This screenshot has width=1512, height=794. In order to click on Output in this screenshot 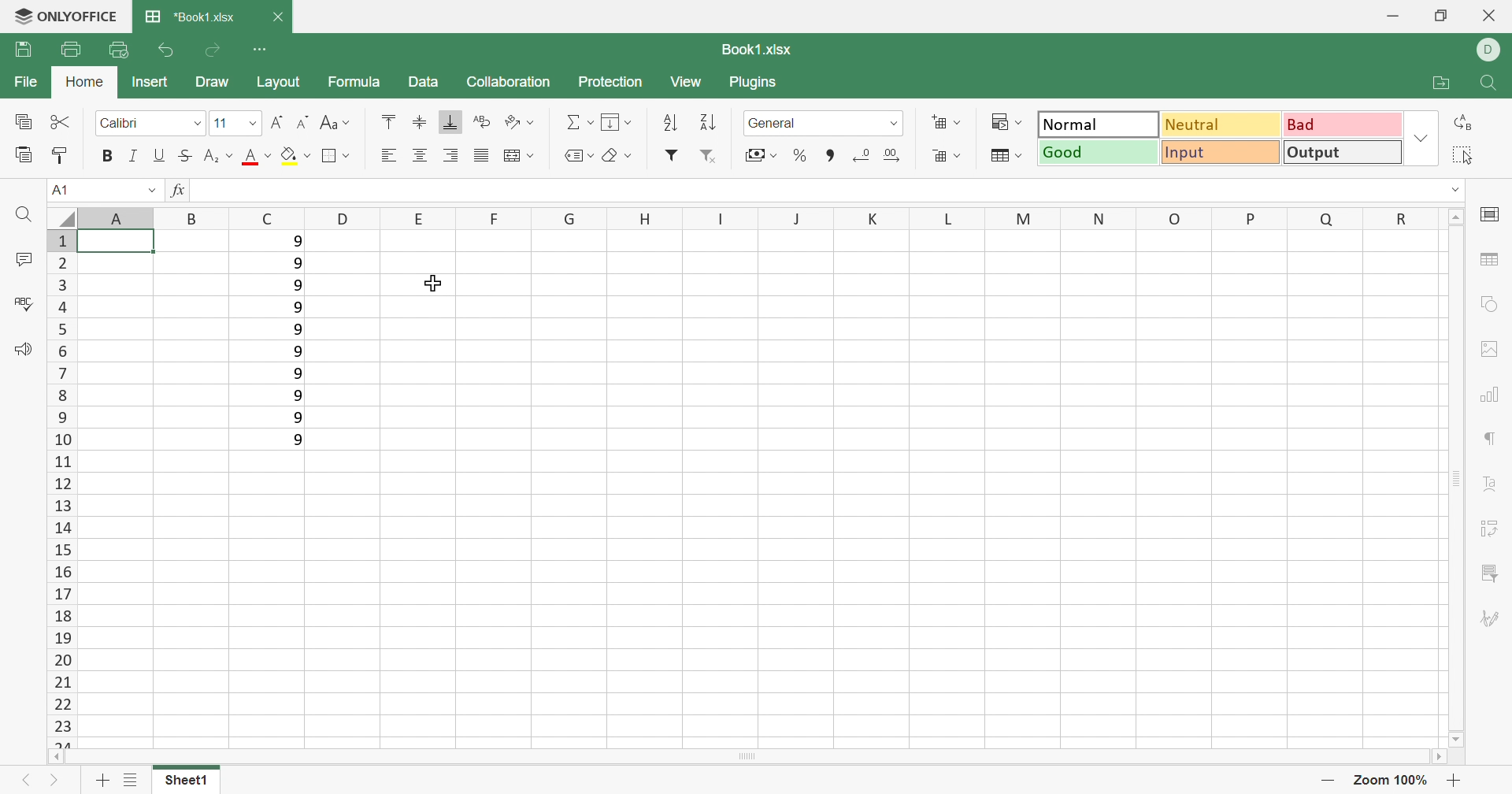, I will do `click(1099, 124)`.